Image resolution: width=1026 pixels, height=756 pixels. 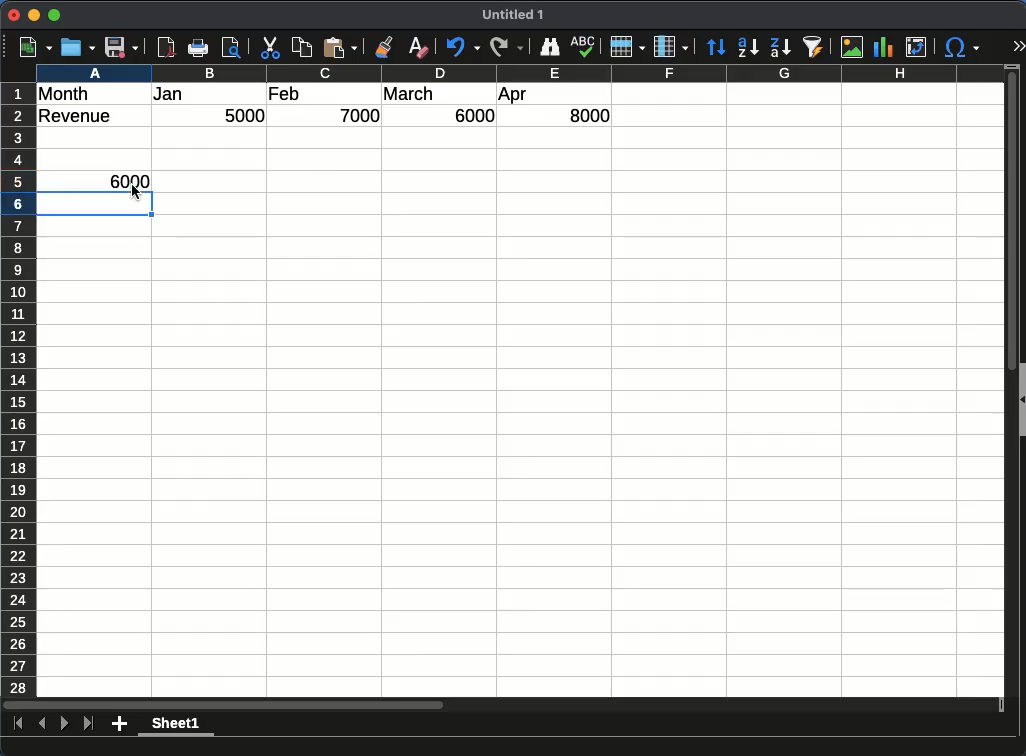 What do you see at coordinates (419, 47) in the screenshot?
I see `clear formatting ` at bounding box center [419, 47].